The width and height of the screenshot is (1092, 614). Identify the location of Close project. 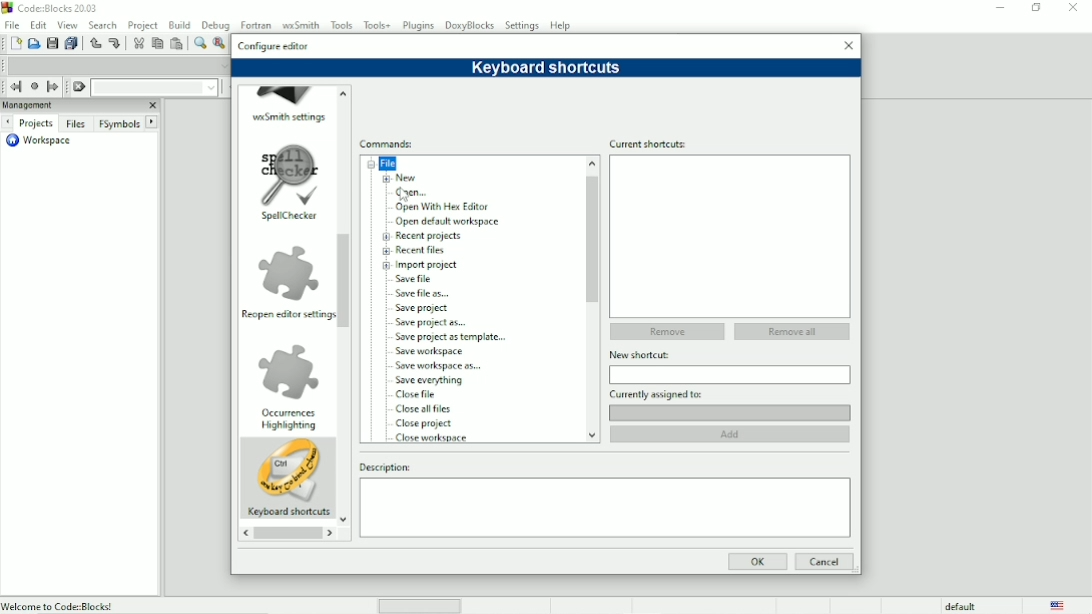
(425, 424).